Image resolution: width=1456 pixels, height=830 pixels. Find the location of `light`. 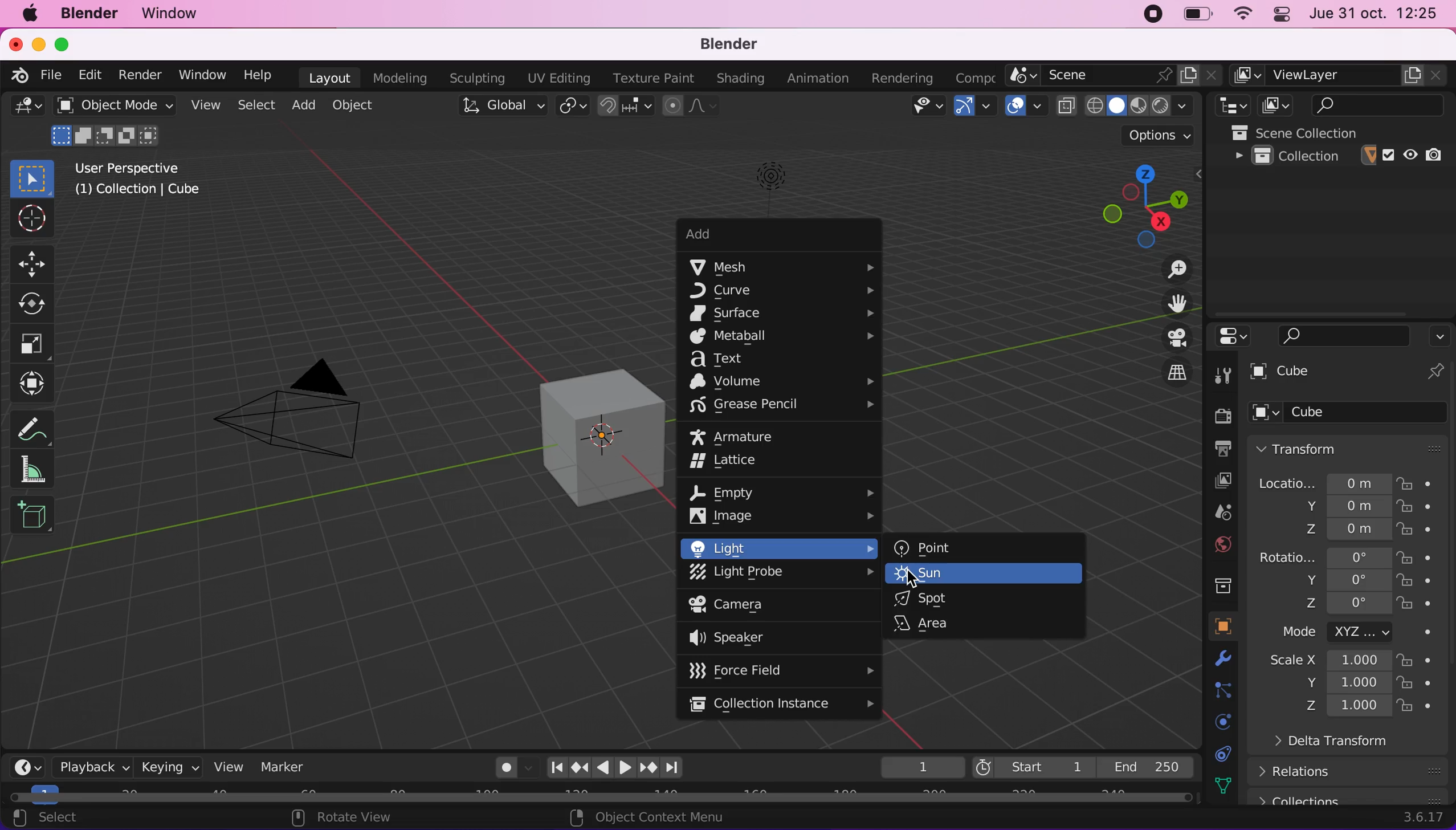

light is located at coordinates (778, 548).